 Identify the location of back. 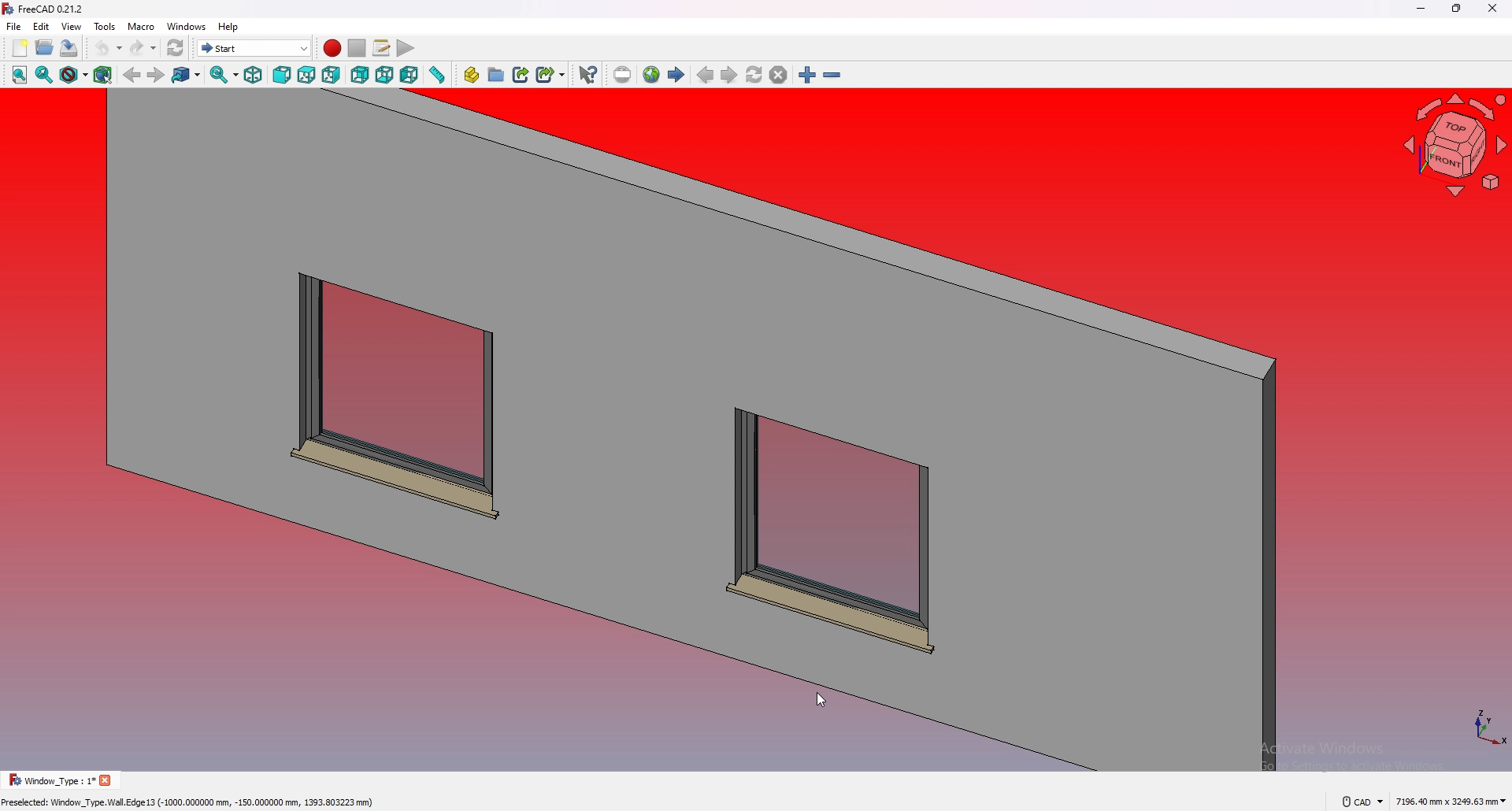
(132, 76).